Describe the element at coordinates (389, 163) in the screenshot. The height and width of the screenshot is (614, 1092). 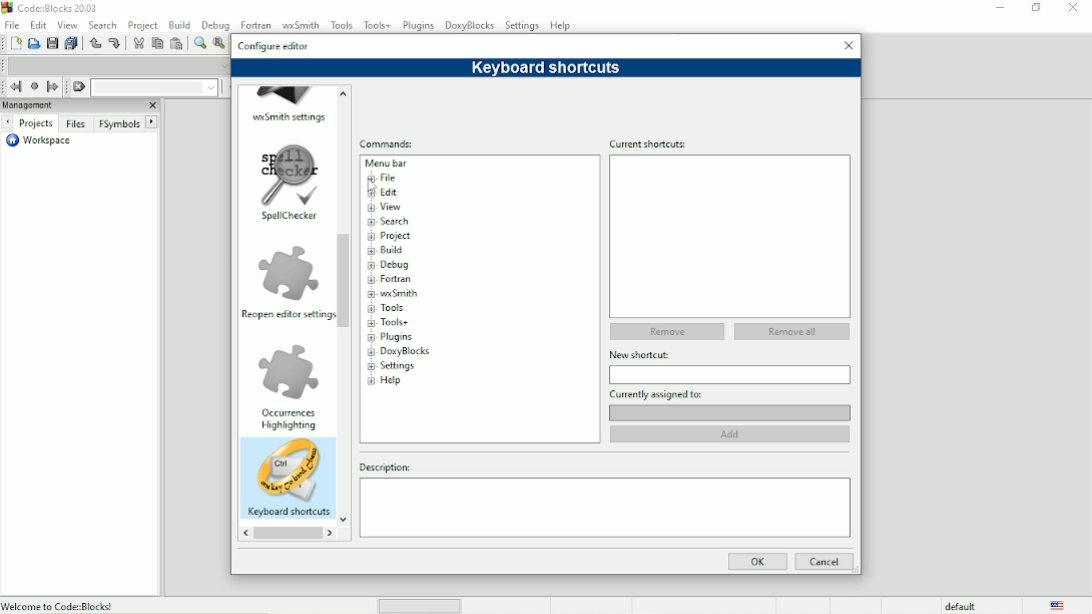
I see `Menu bar` at that location.